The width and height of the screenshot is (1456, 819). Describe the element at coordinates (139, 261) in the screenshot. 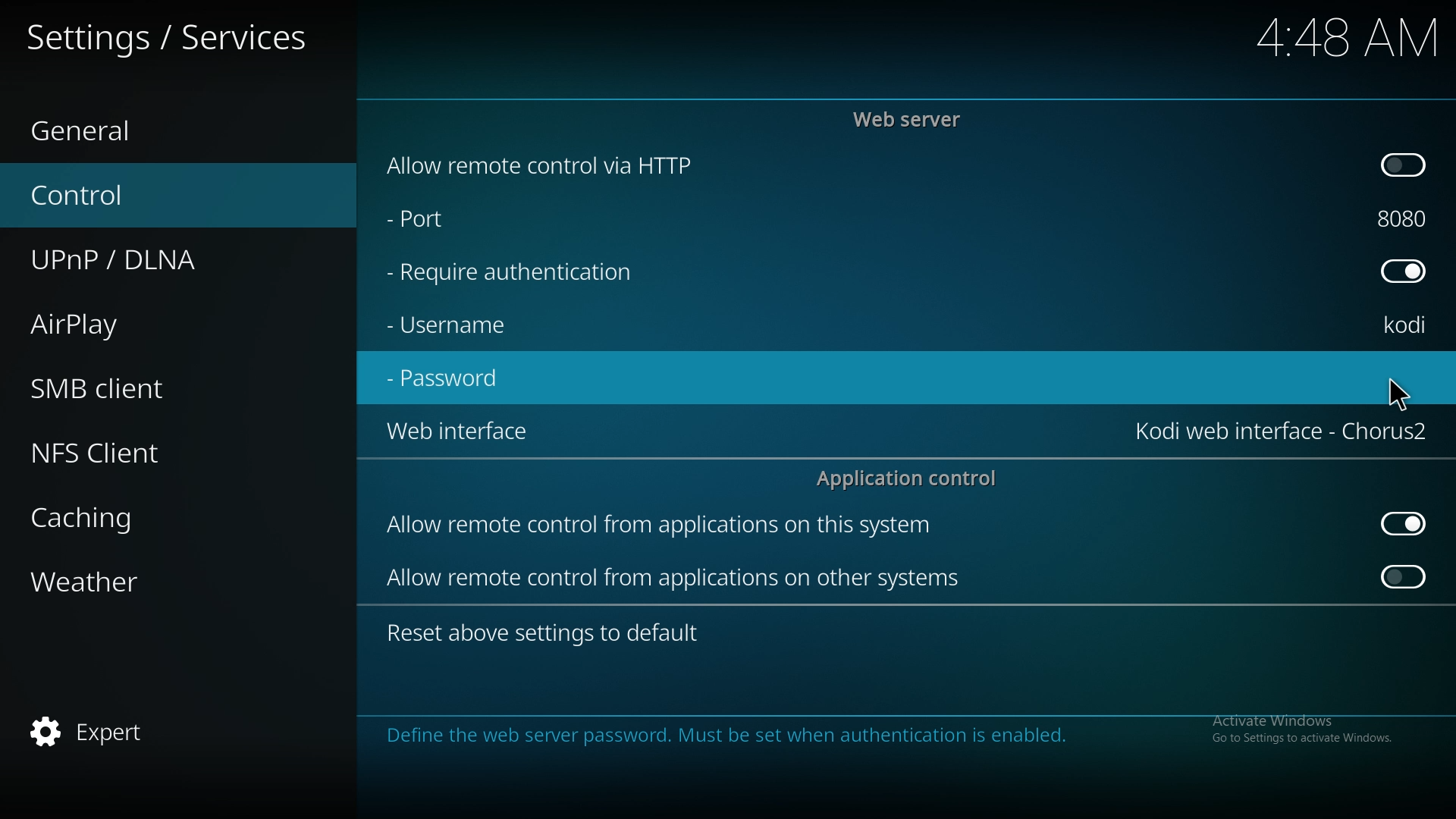

I see `upnp/dlna` at that location.